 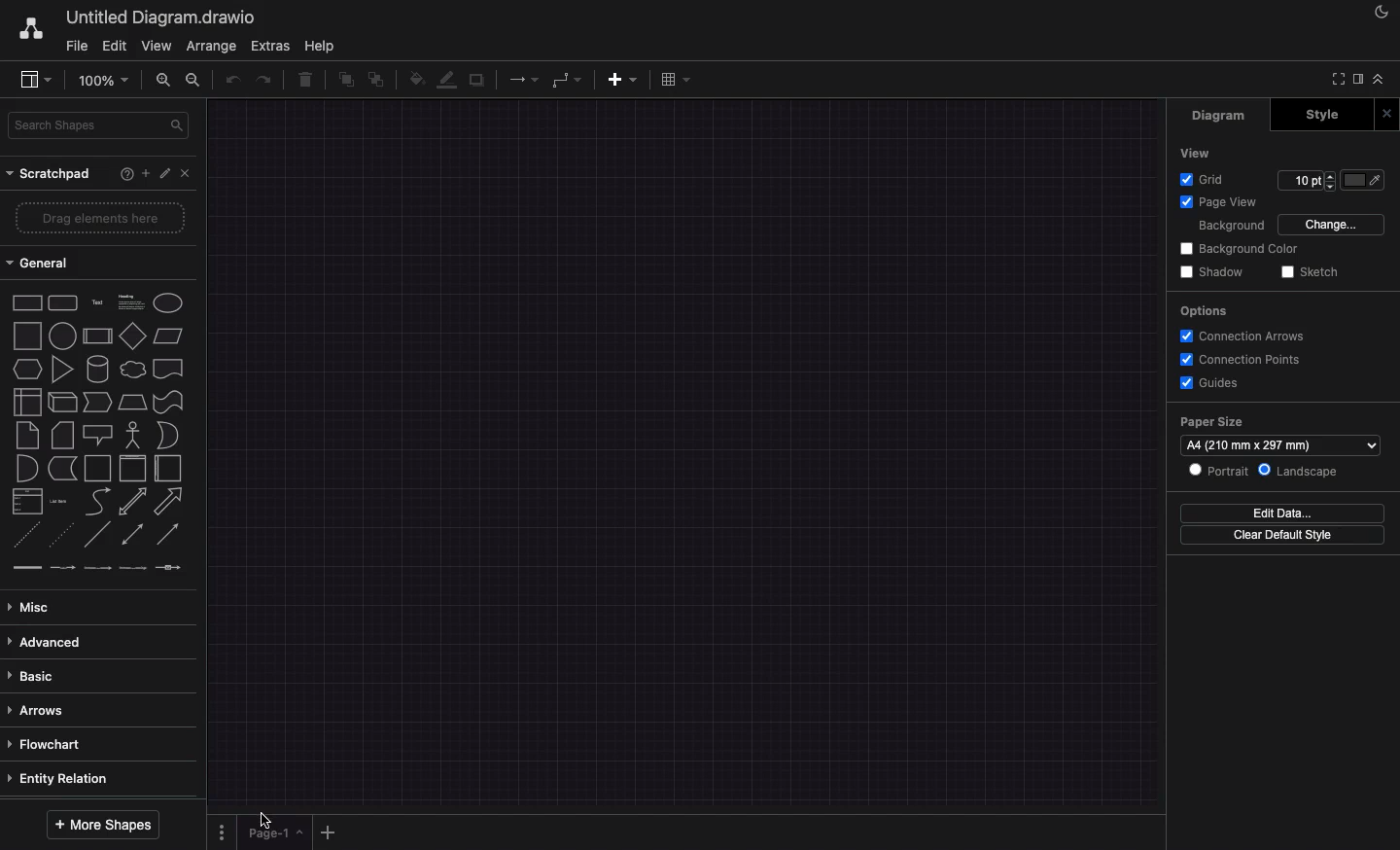 What do you see at coordinates (477, 82) in the screenshot?
I see `shadow` at bounding box center [477, 82].